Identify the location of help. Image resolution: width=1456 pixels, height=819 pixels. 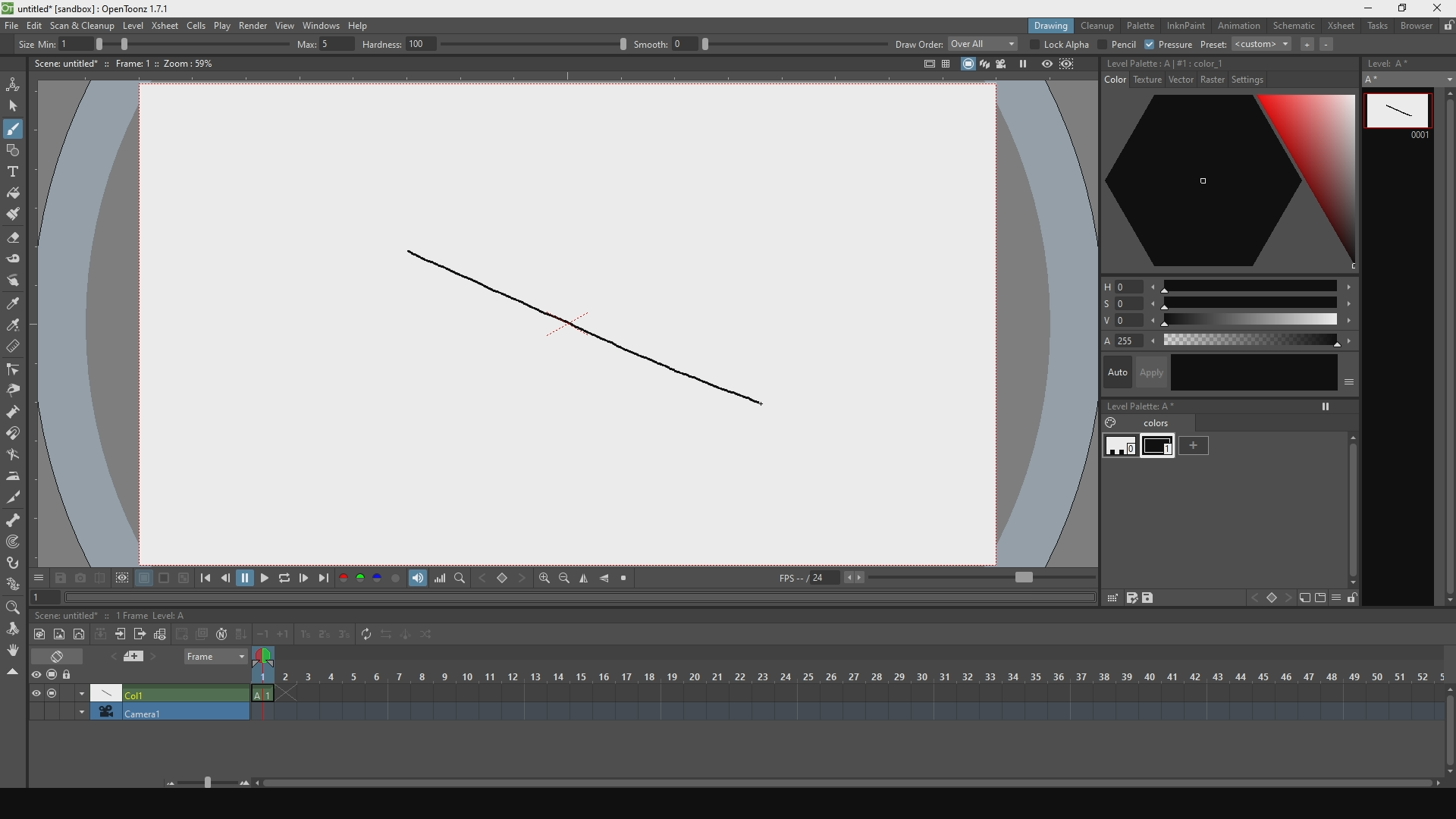
(364, 23).